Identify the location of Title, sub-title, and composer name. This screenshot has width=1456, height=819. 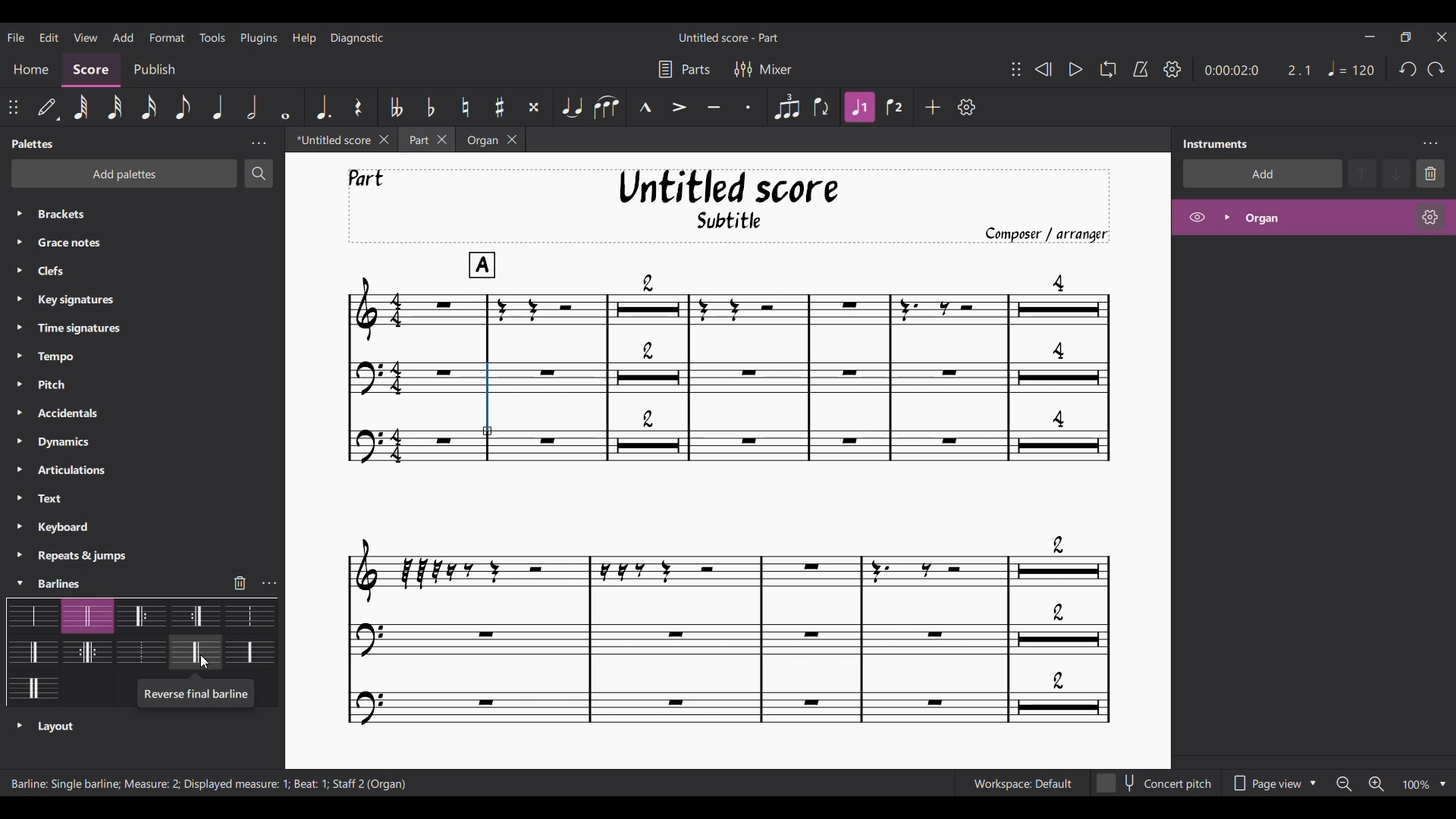
(729, 206).